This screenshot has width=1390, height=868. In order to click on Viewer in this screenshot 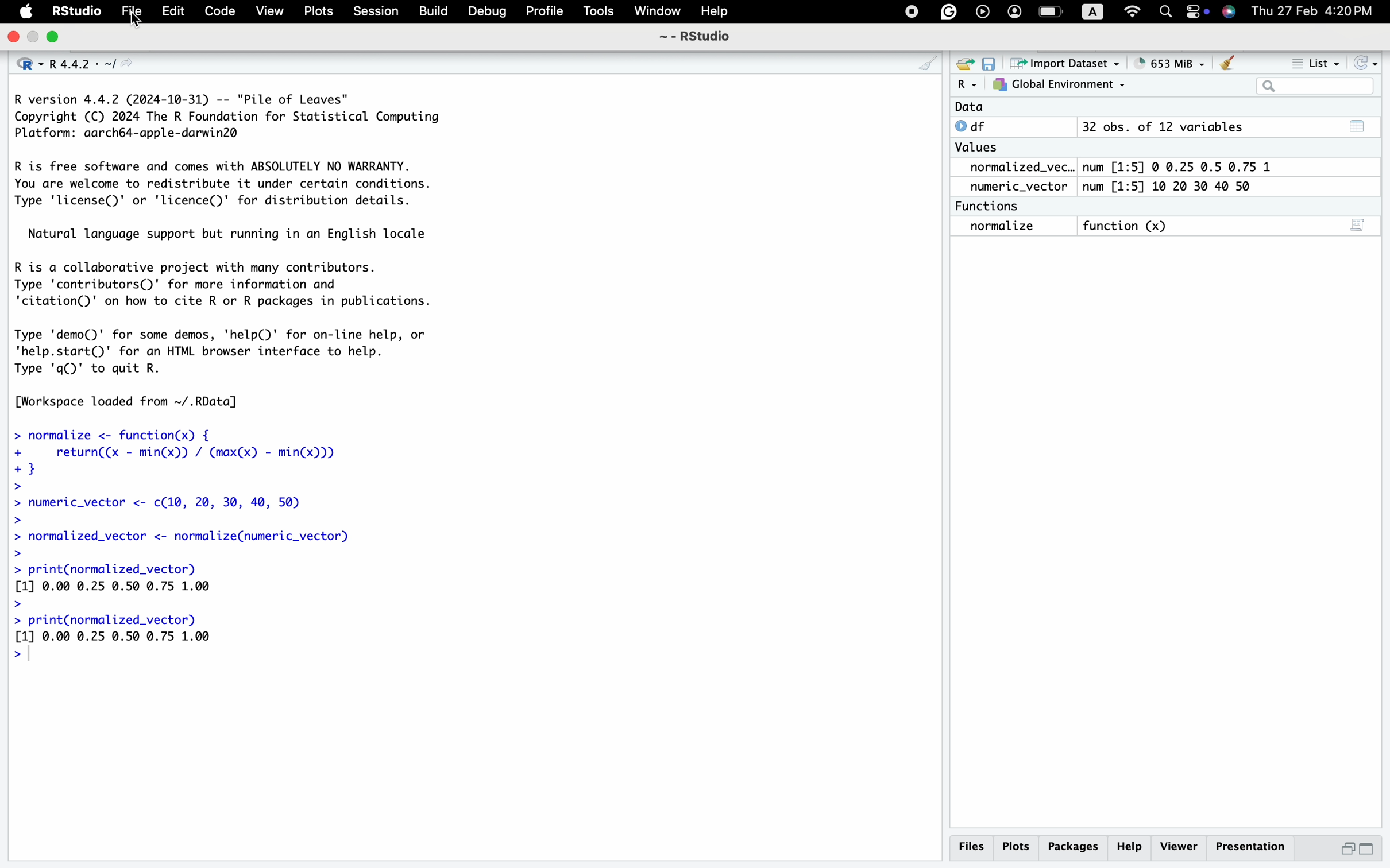, I will do `click(1180, 845)`.